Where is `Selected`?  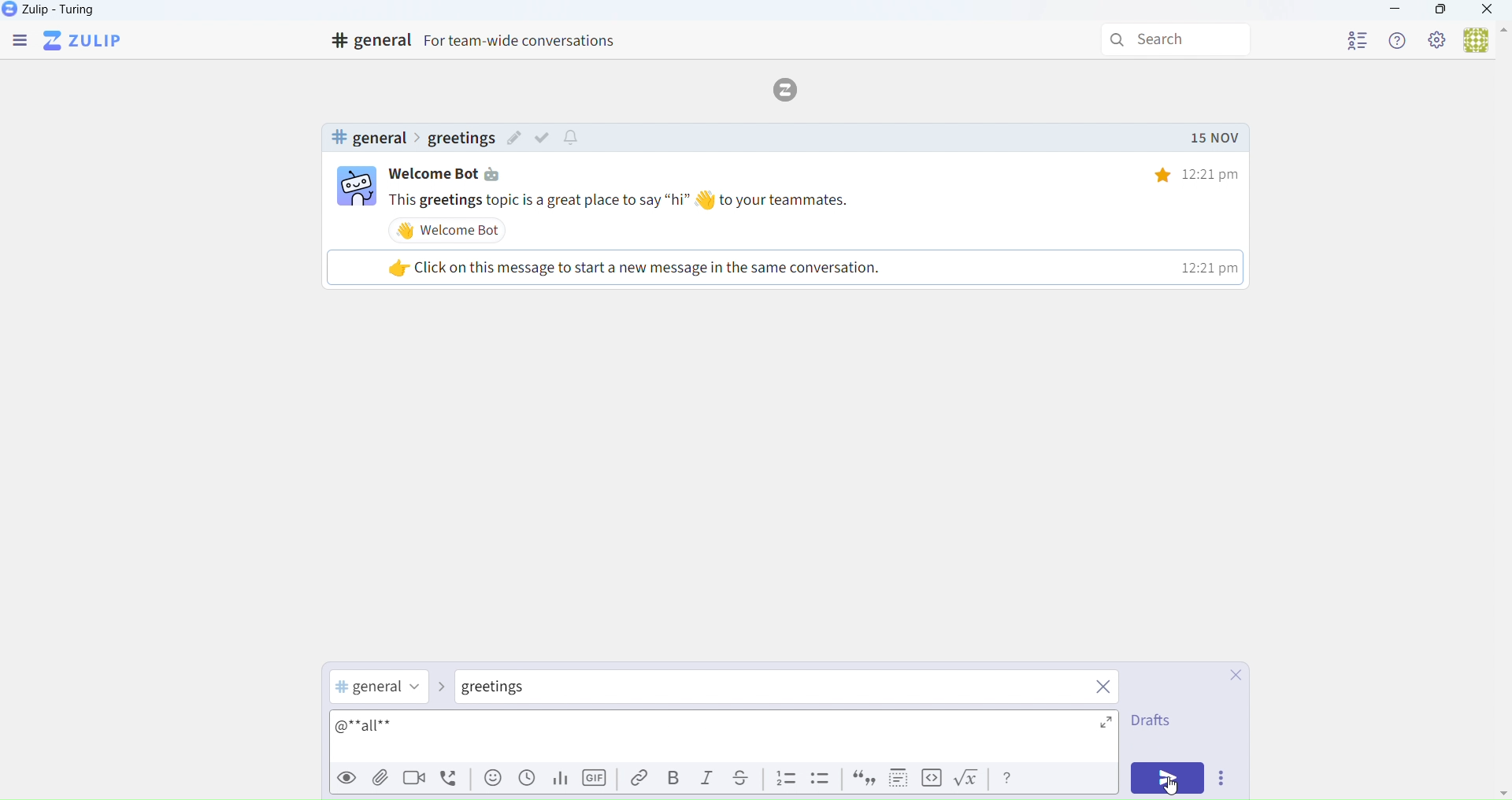
Selected is located at coordinates (367, 726).